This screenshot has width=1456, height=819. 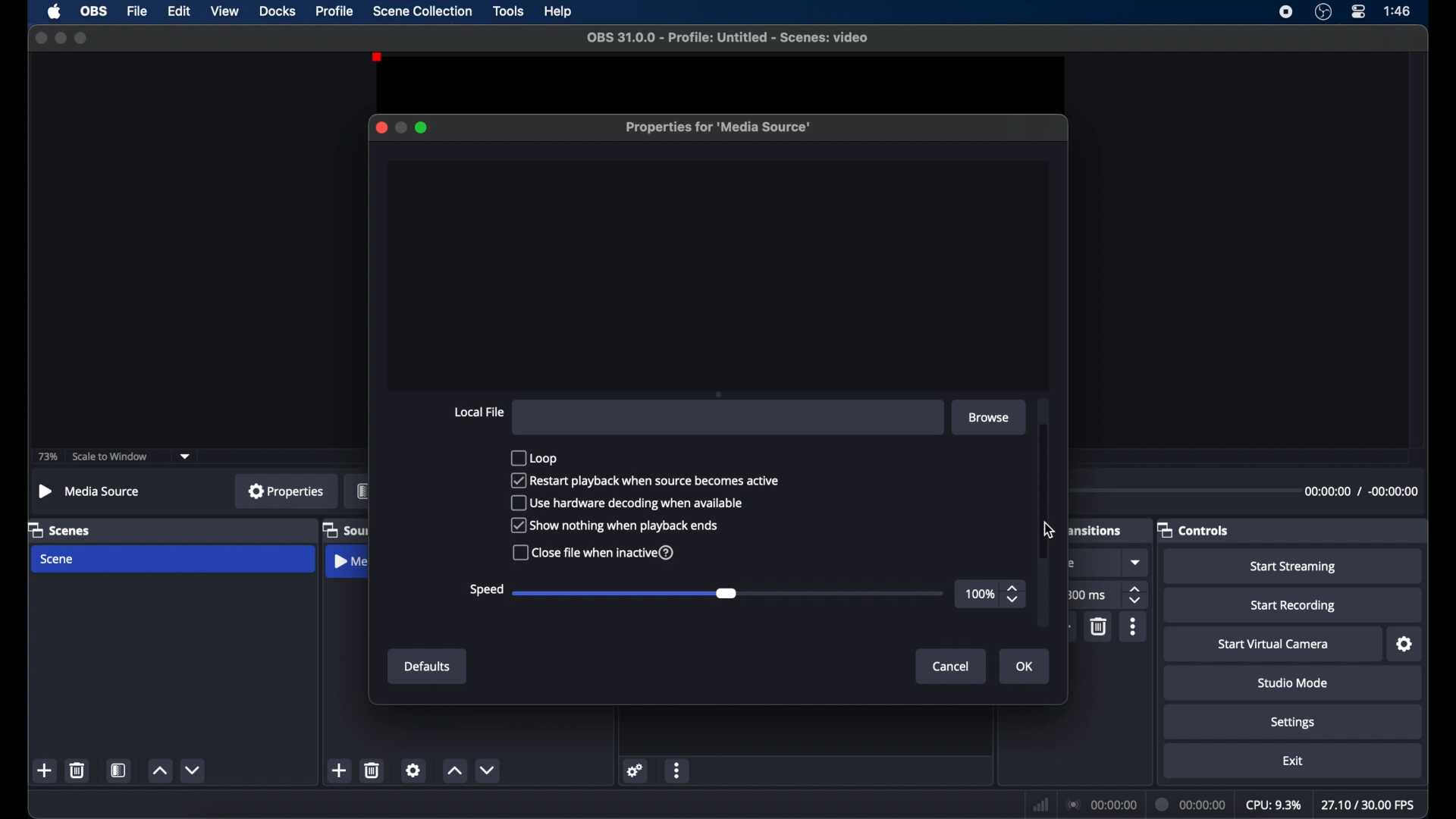 I want to click on duration, so click(x=1192, y=805).